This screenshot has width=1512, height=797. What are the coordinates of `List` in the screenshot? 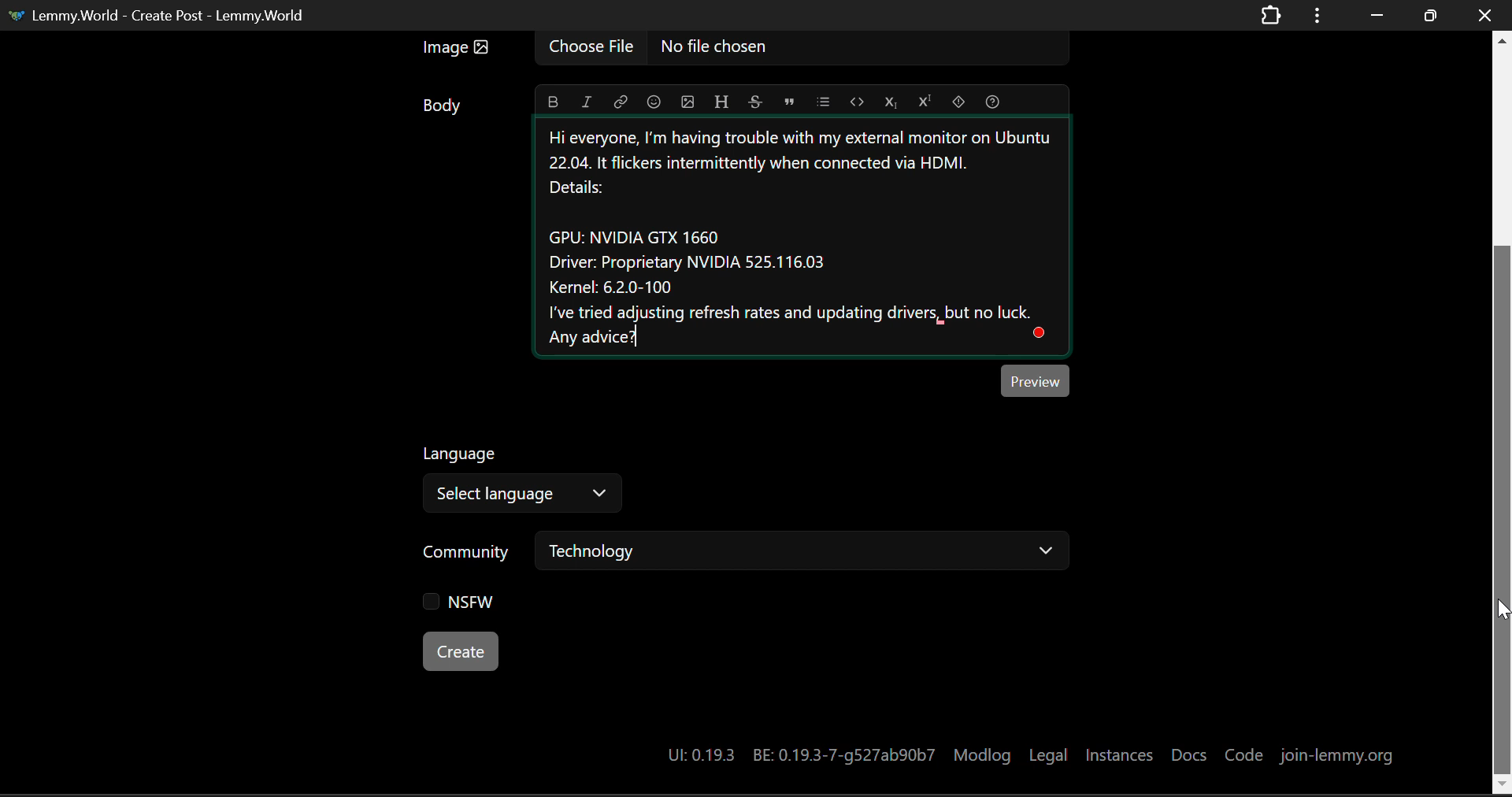 It's located at (823, 99).